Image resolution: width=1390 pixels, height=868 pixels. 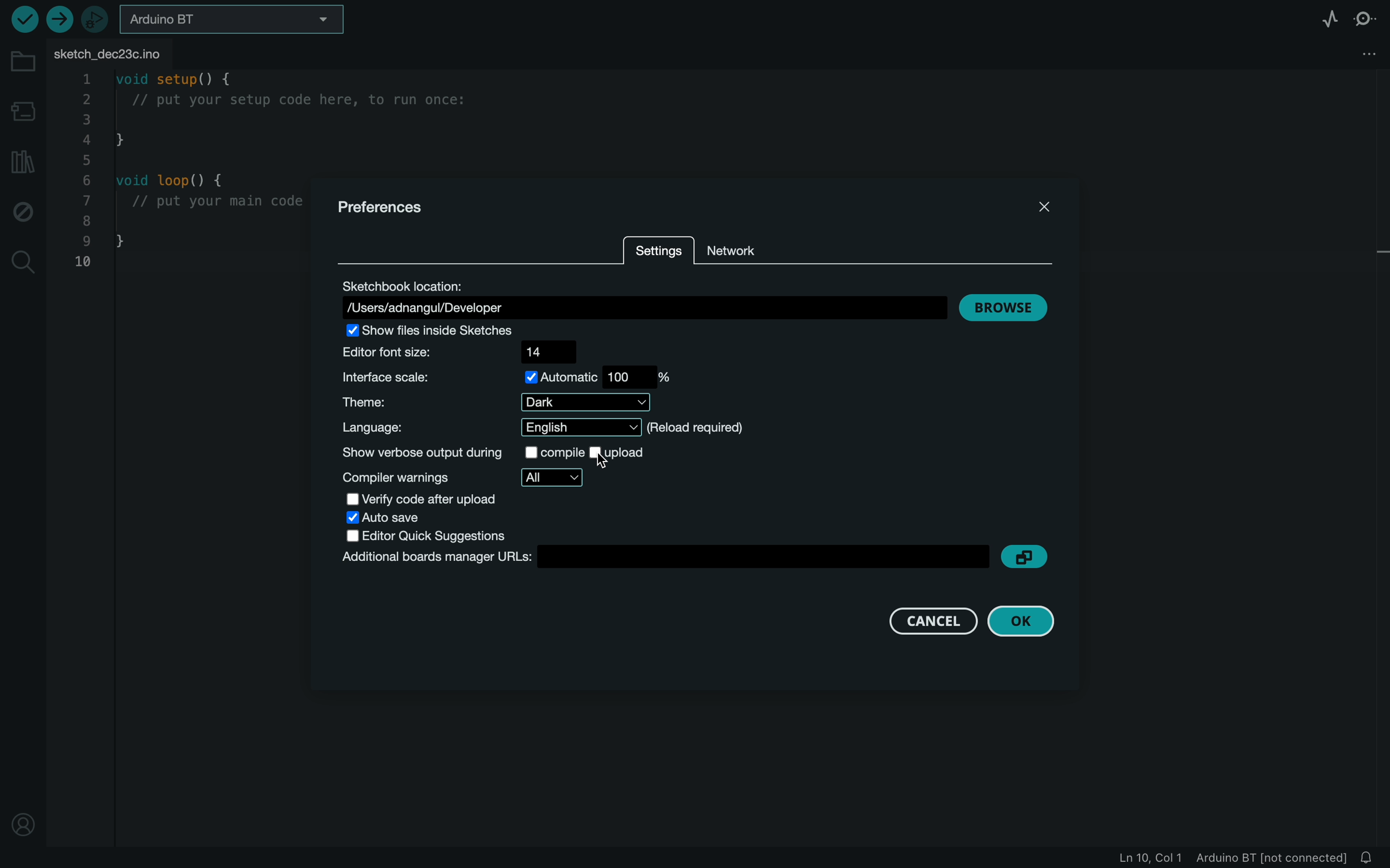 I want to click on language, so click(x=550, y=428).